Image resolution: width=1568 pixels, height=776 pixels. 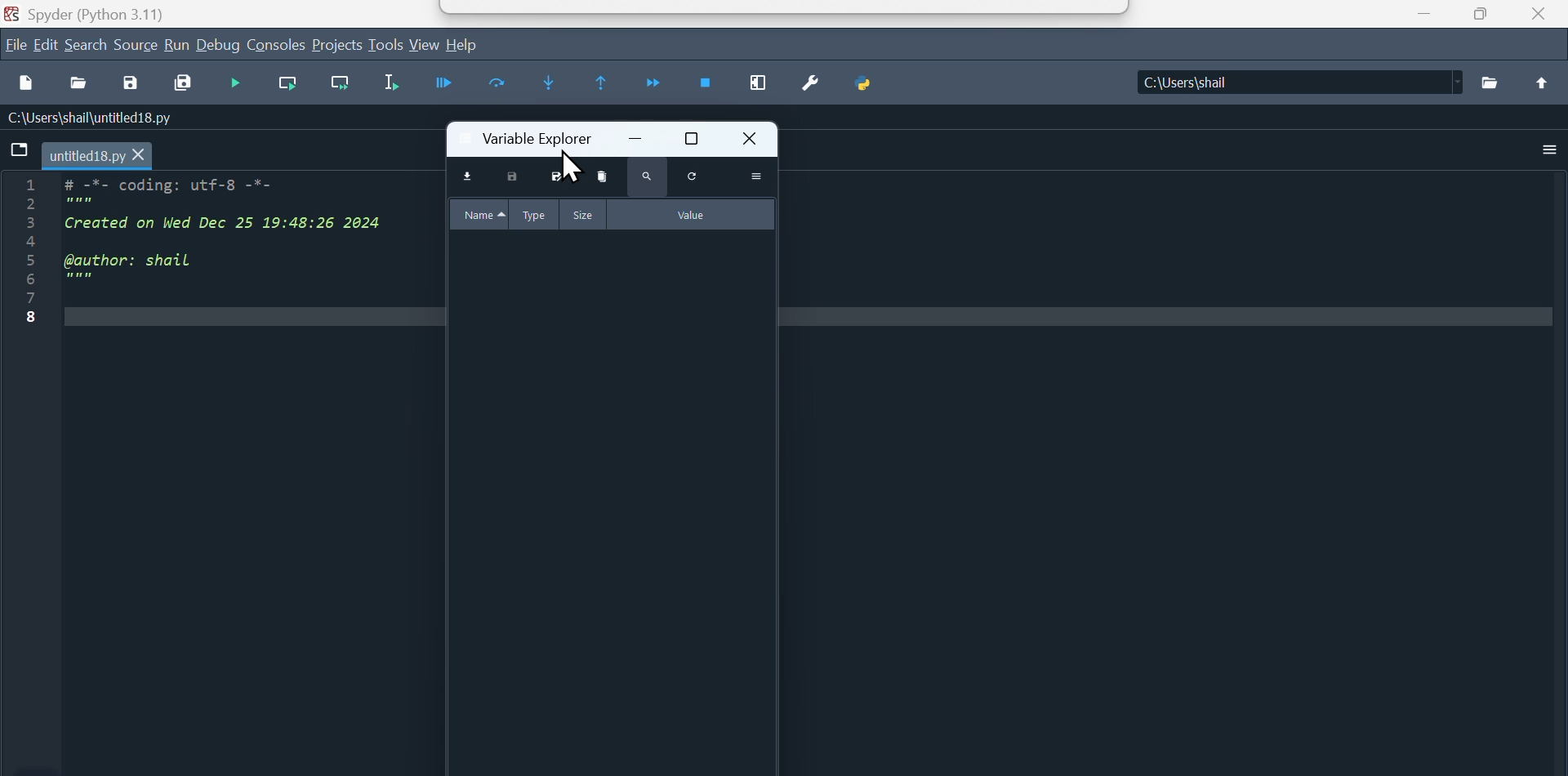 What do you see at coordinates (1549, 150) in the screenshot?
I see `more actions` at bounding box center [1549, 150].